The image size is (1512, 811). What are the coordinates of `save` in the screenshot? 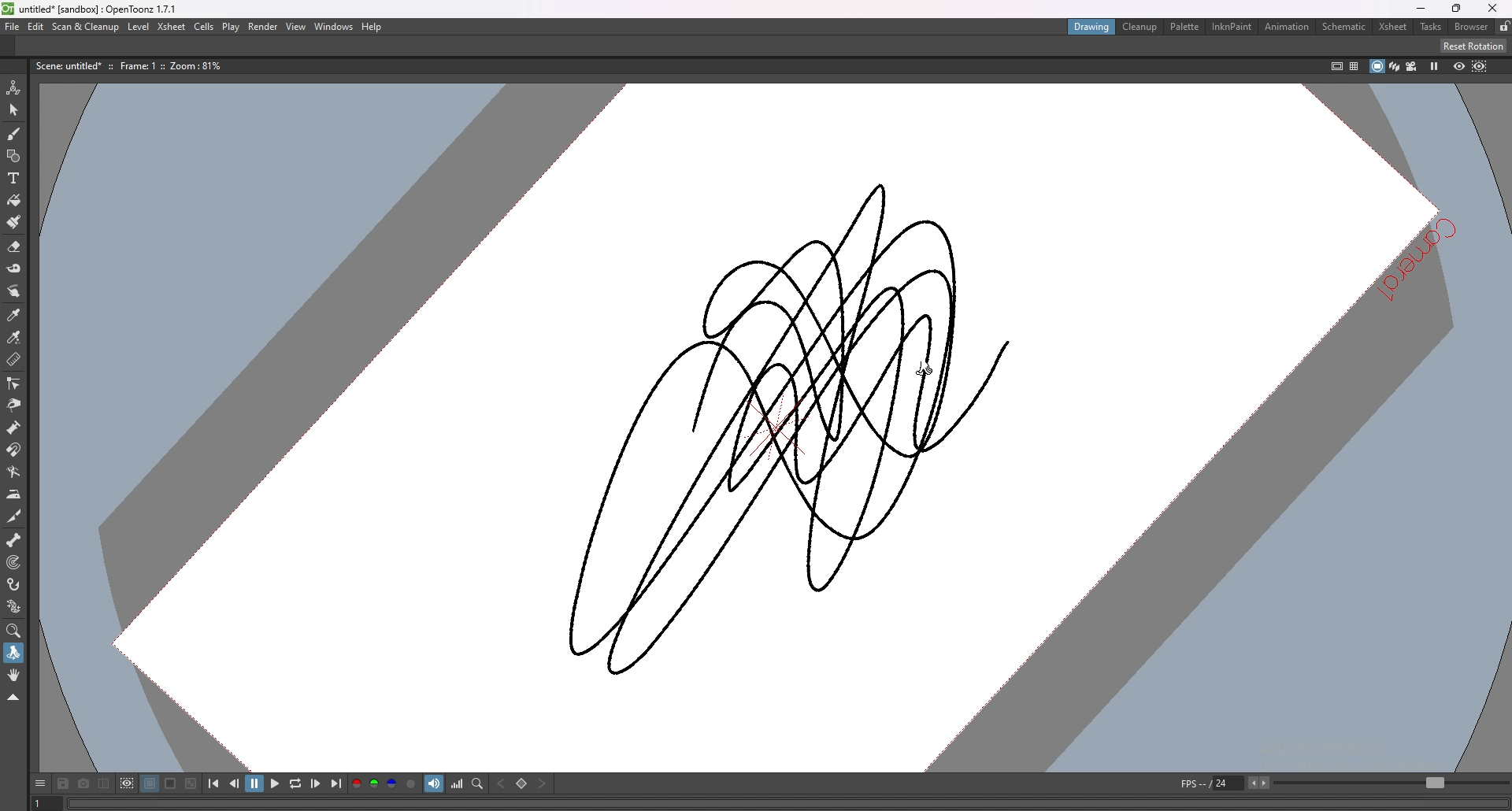 It's located at (62, 783).